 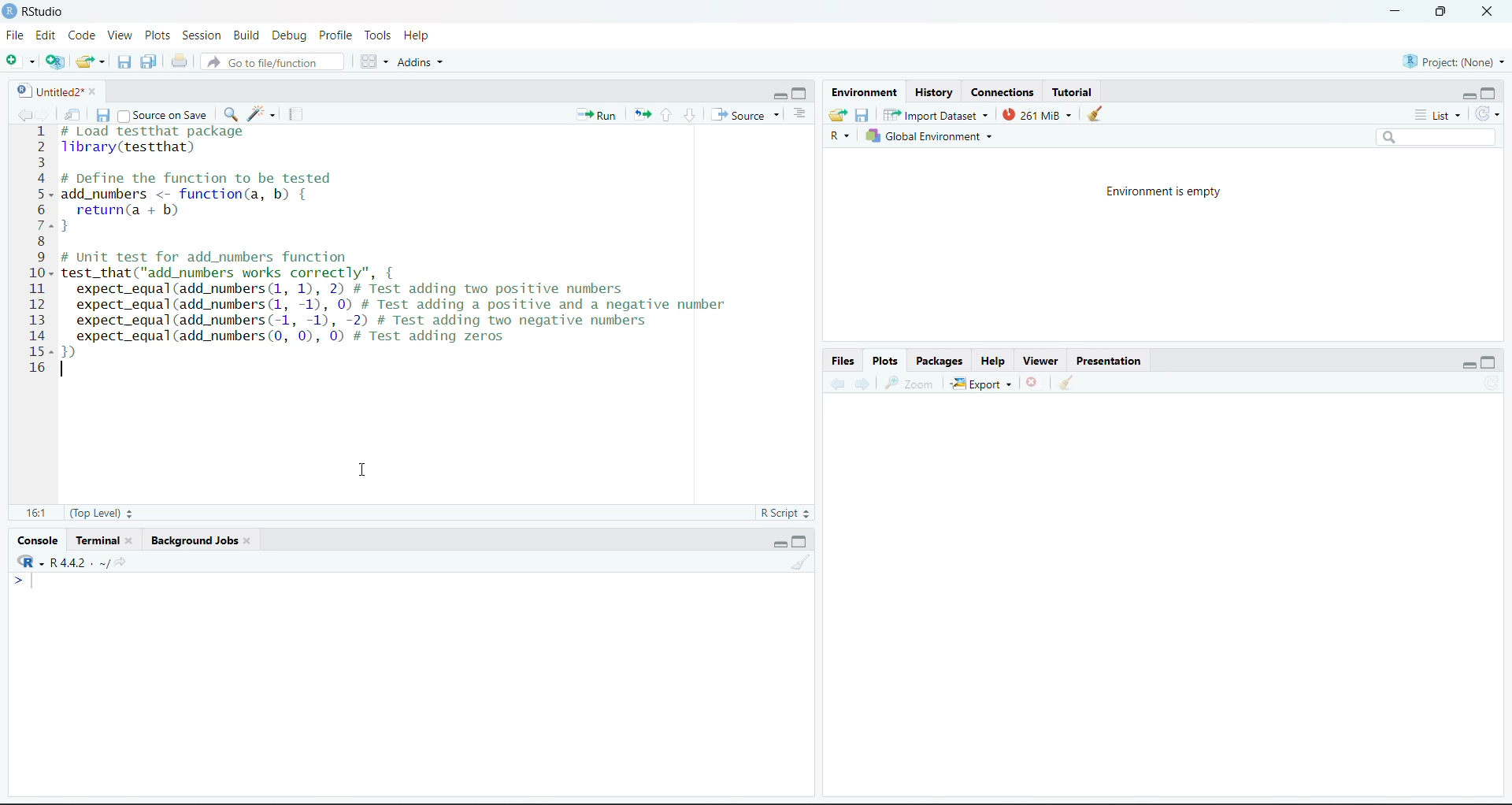 I want to click on Go to previous section, so click(x=665, y=114).